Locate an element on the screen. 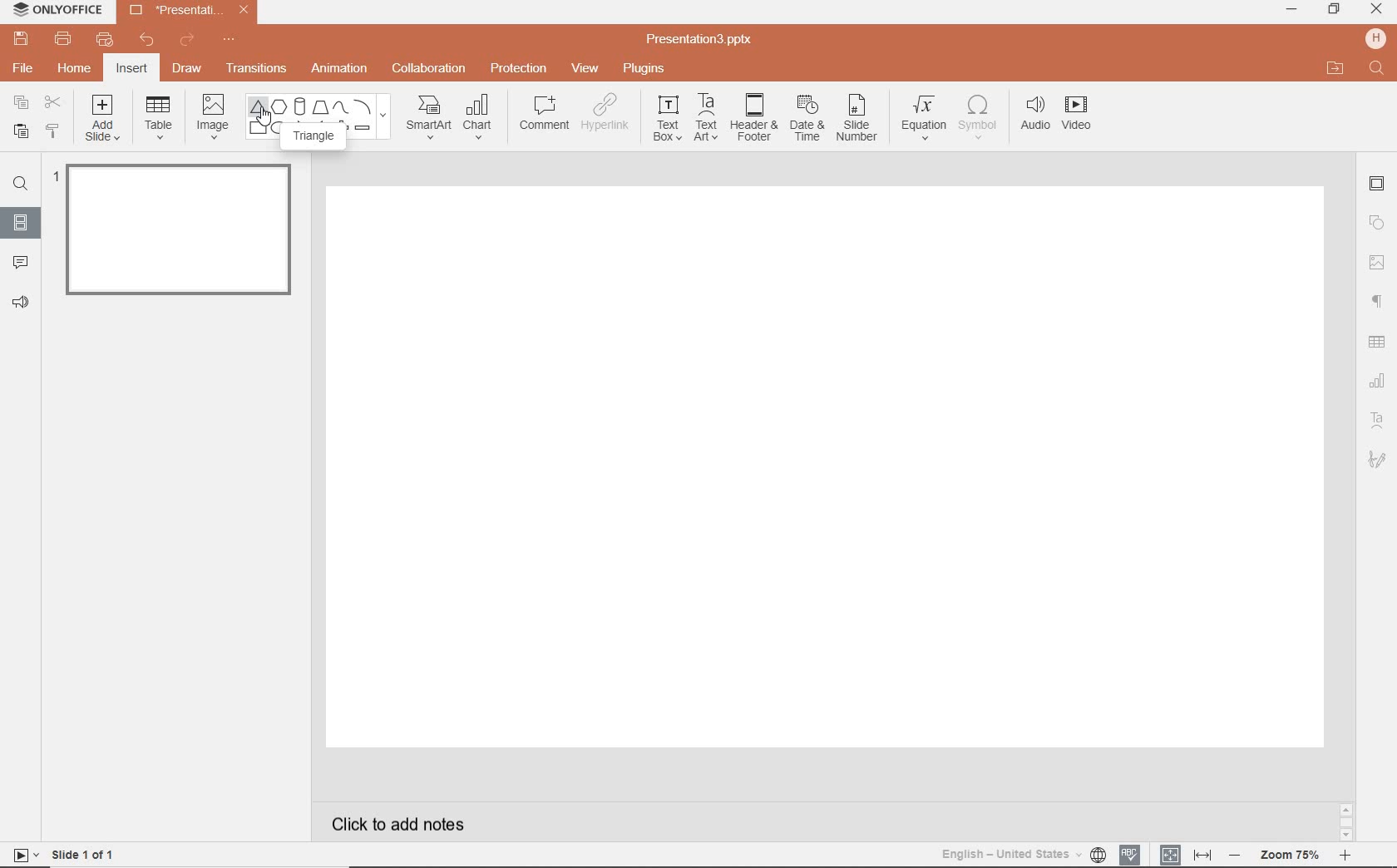 This screenshot has width=1397, height=868. start slideshow is located at coordinates (20, 857).